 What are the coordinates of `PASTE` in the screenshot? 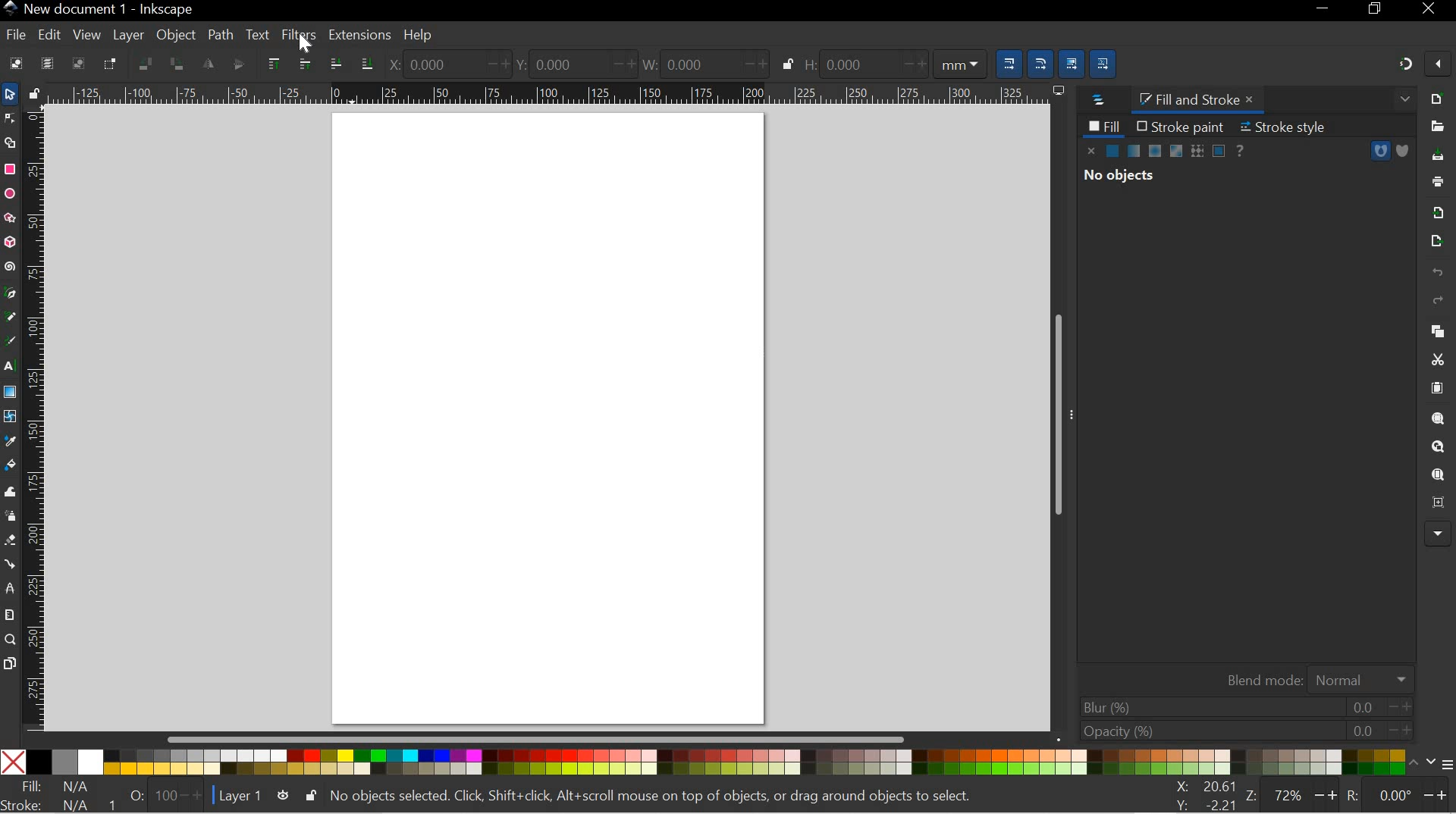 It's located at (1437, 388).